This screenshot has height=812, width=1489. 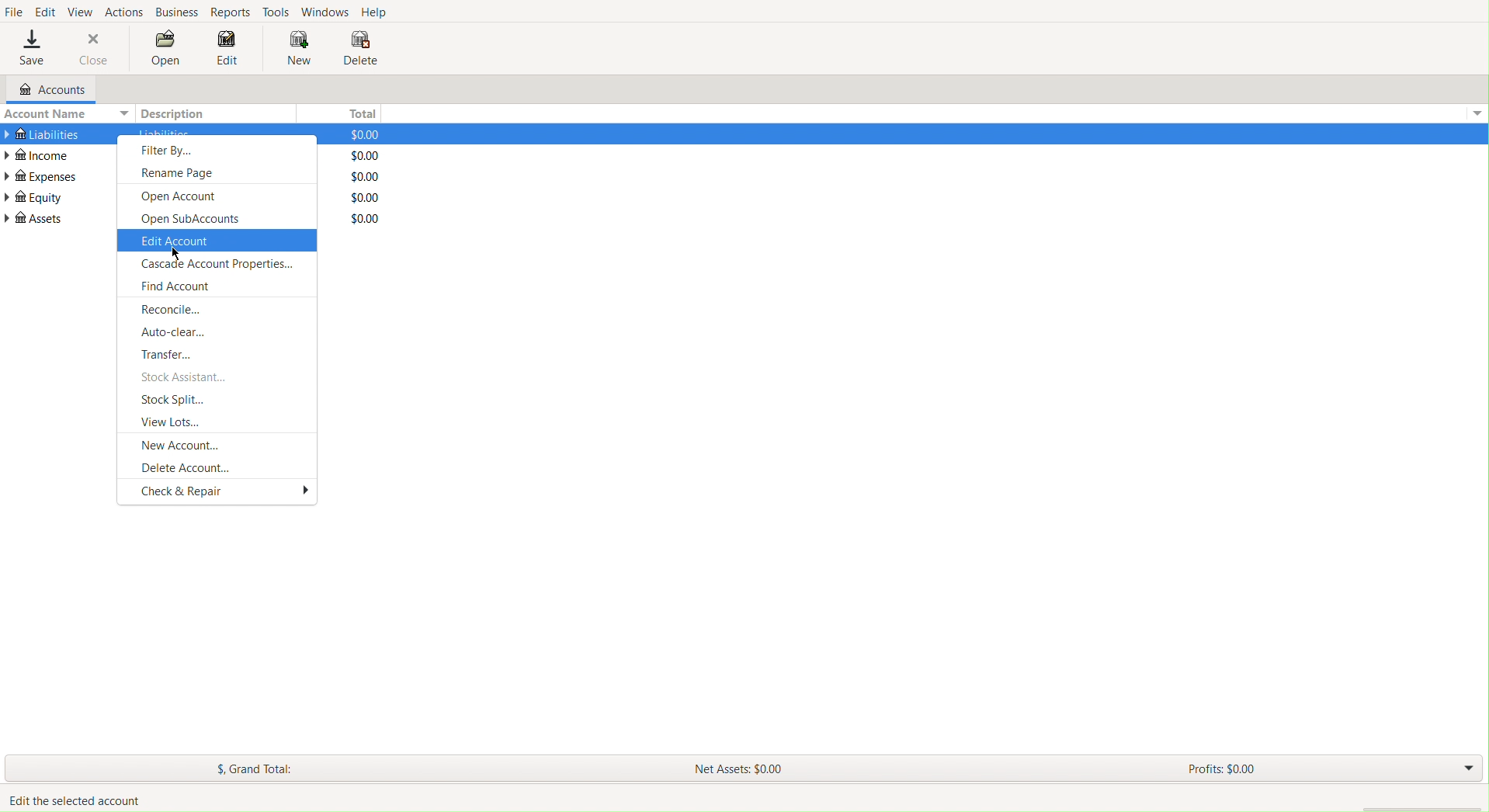 What do you see at coordinates (166, 50) in the screenshot?
I see `Open` at bounding box center [166, 50].